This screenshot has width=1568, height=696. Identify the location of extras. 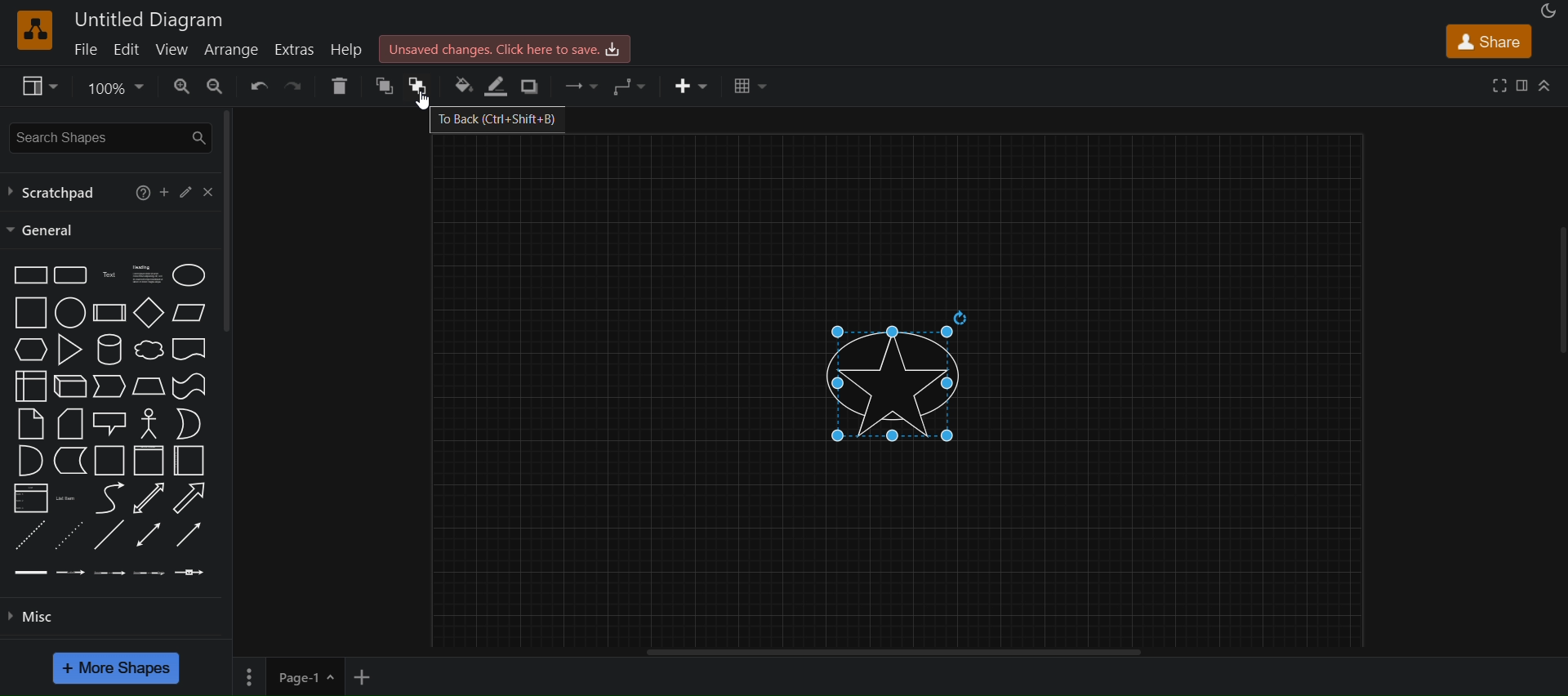
(295, 50).